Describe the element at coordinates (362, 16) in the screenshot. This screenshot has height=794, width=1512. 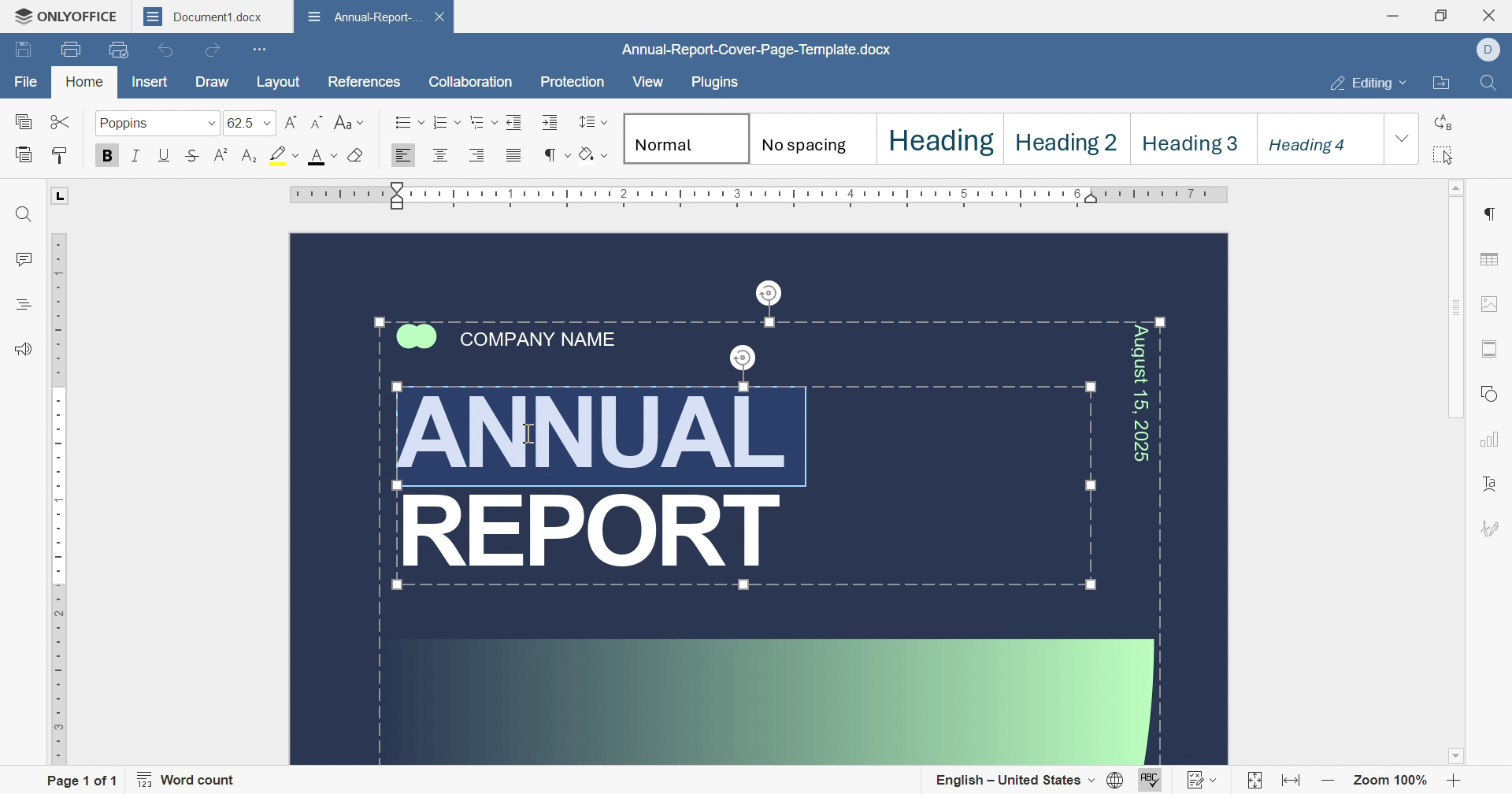
I see `Document name` at that location.